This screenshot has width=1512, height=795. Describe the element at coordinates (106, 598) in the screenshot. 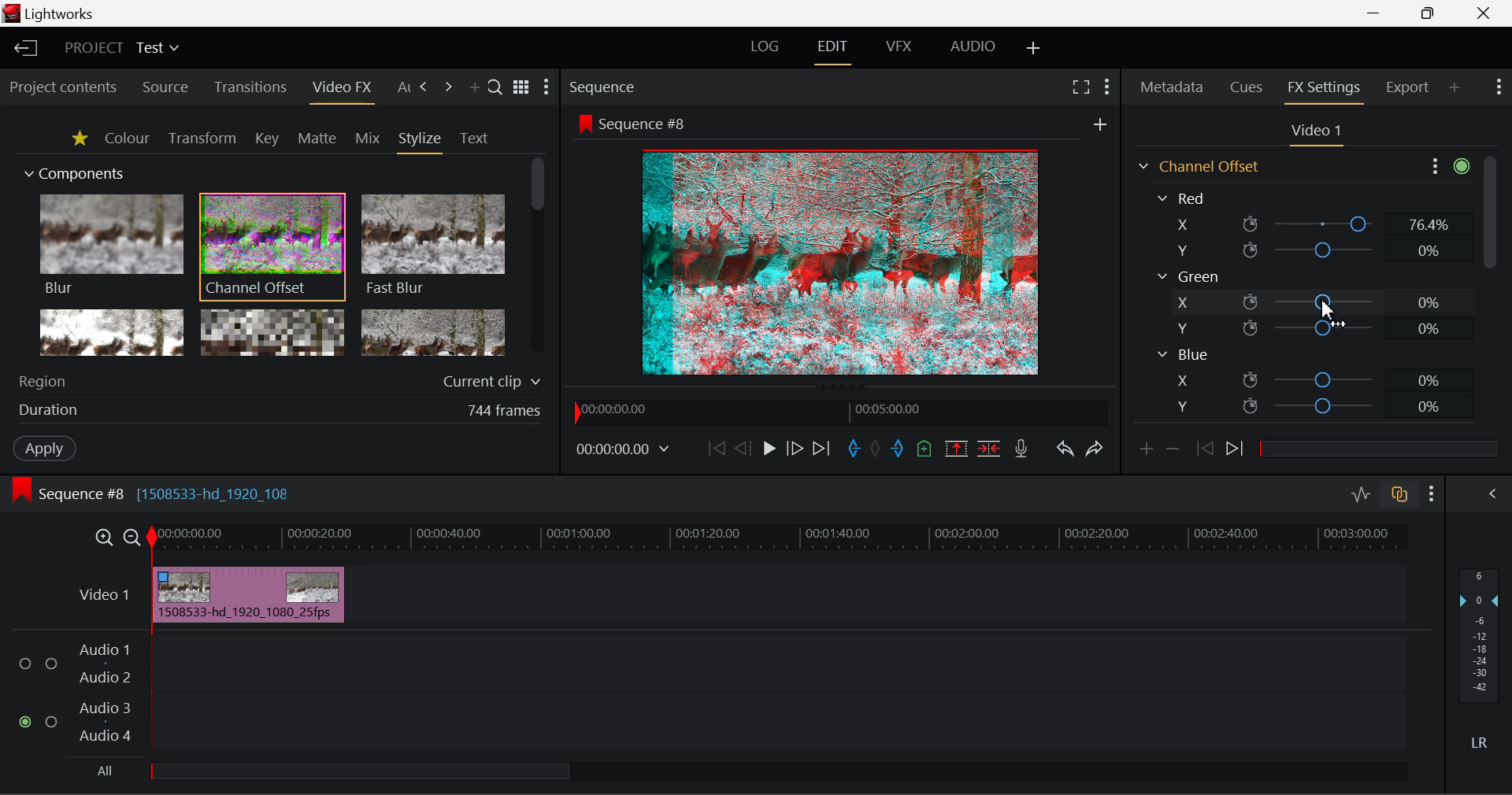

I see `Video Layer` at that location.